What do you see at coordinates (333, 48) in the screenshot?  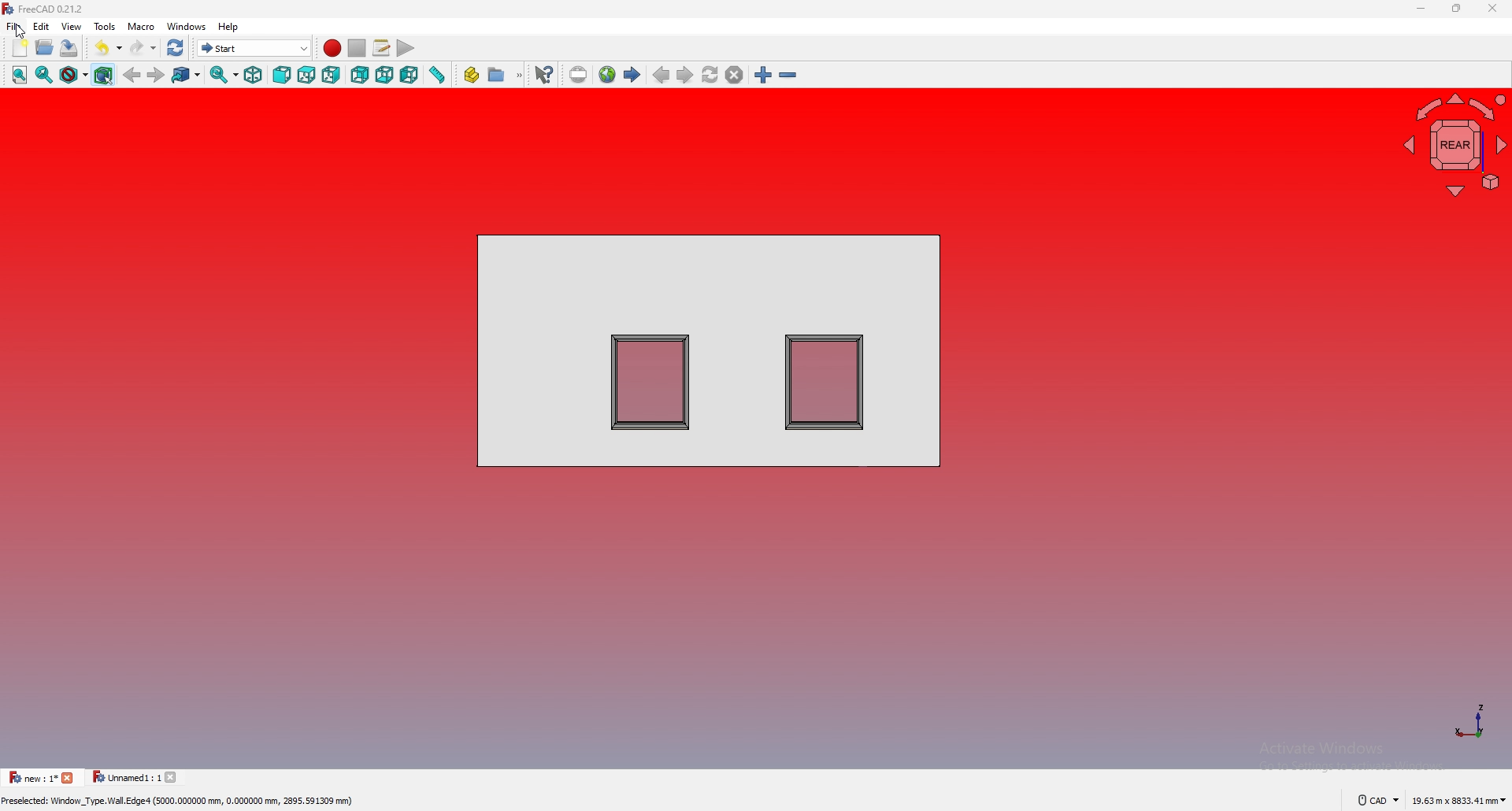 I see `record macros` at bounding box center [333, 48].